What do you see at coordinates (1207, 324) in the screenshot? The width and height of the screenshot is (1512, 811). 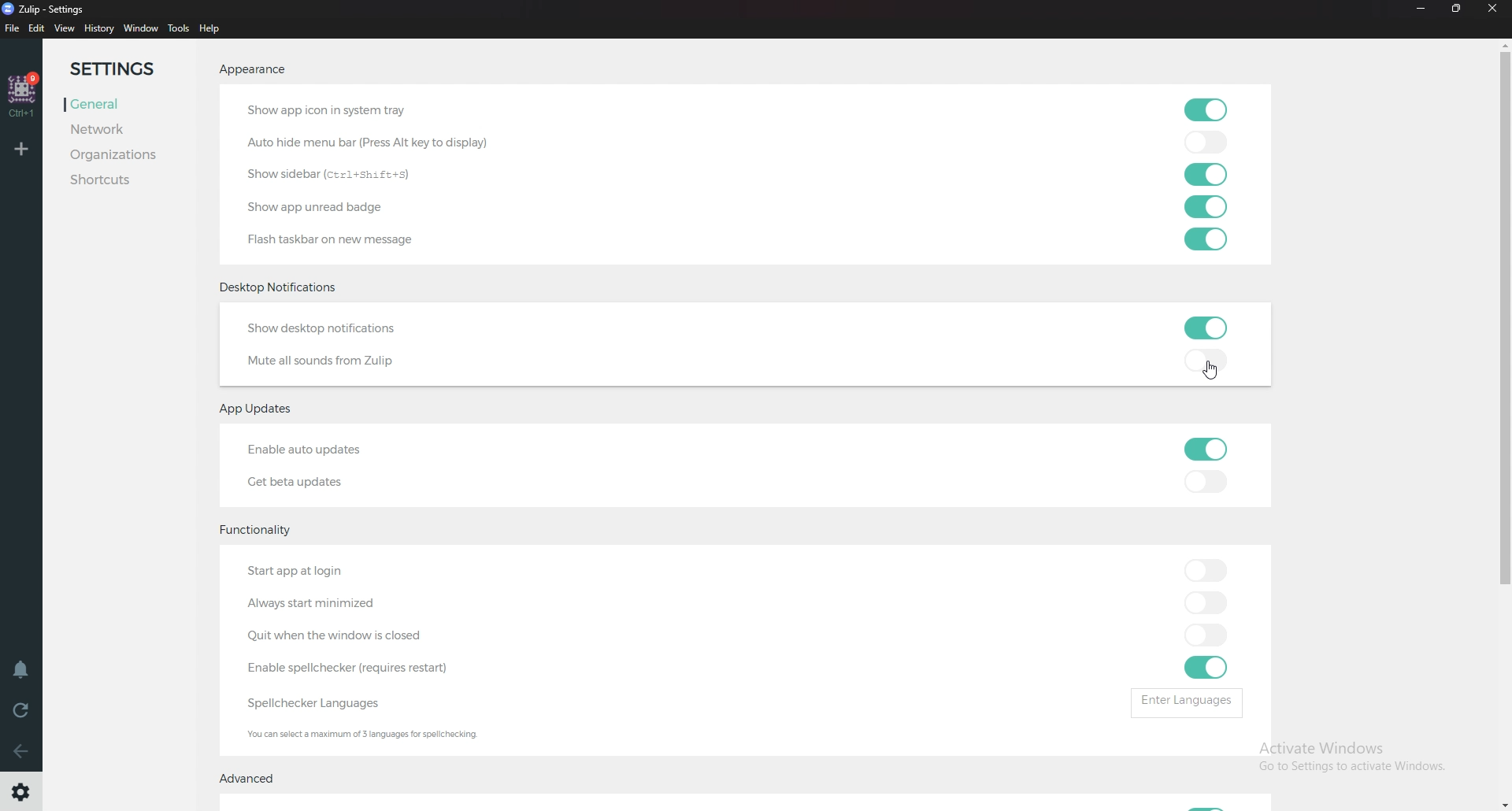 I see `toggle` at bounding box center [1207, 324].